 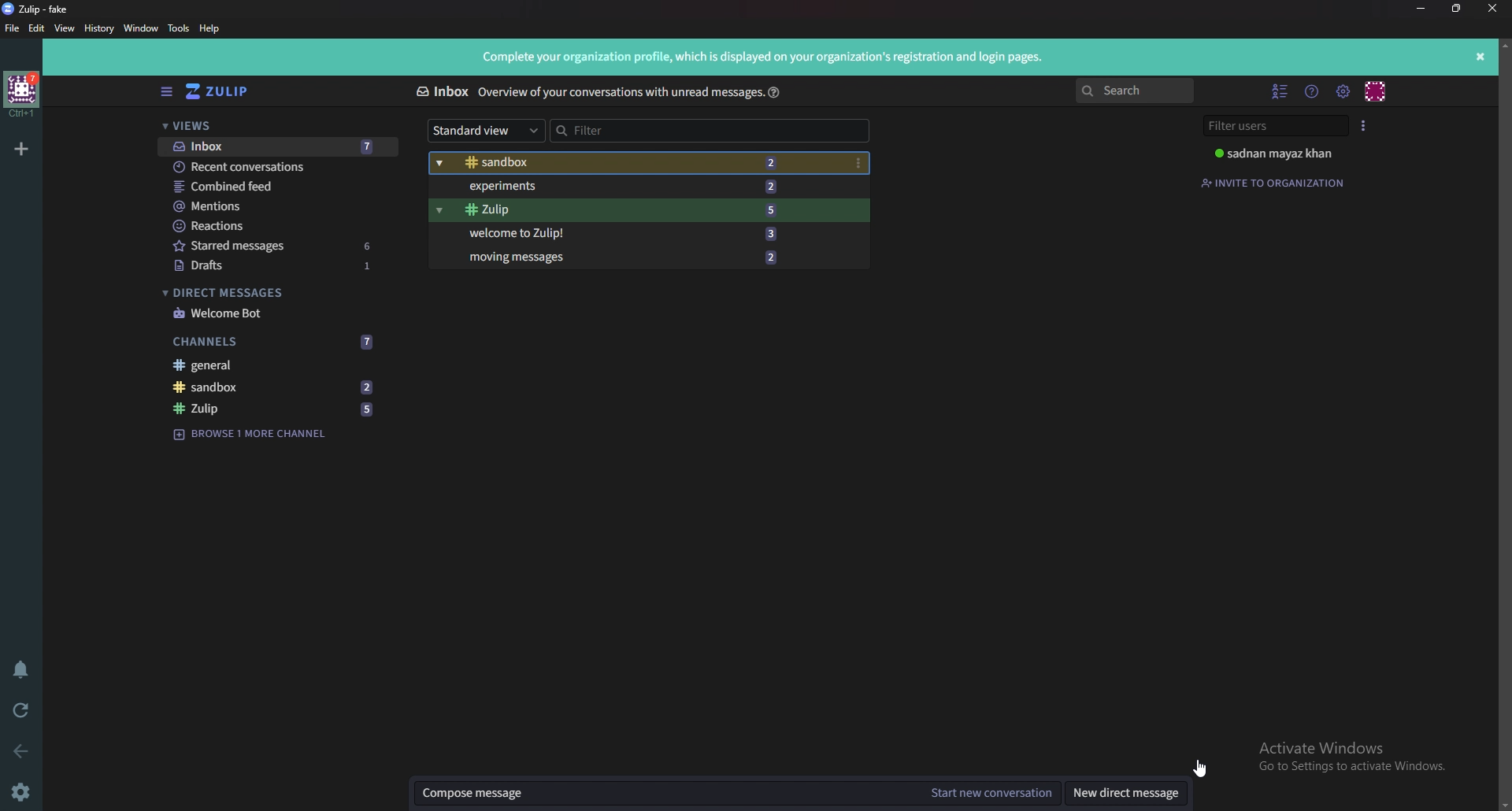 I want to click on Reactions, so click(x=280, y=226).